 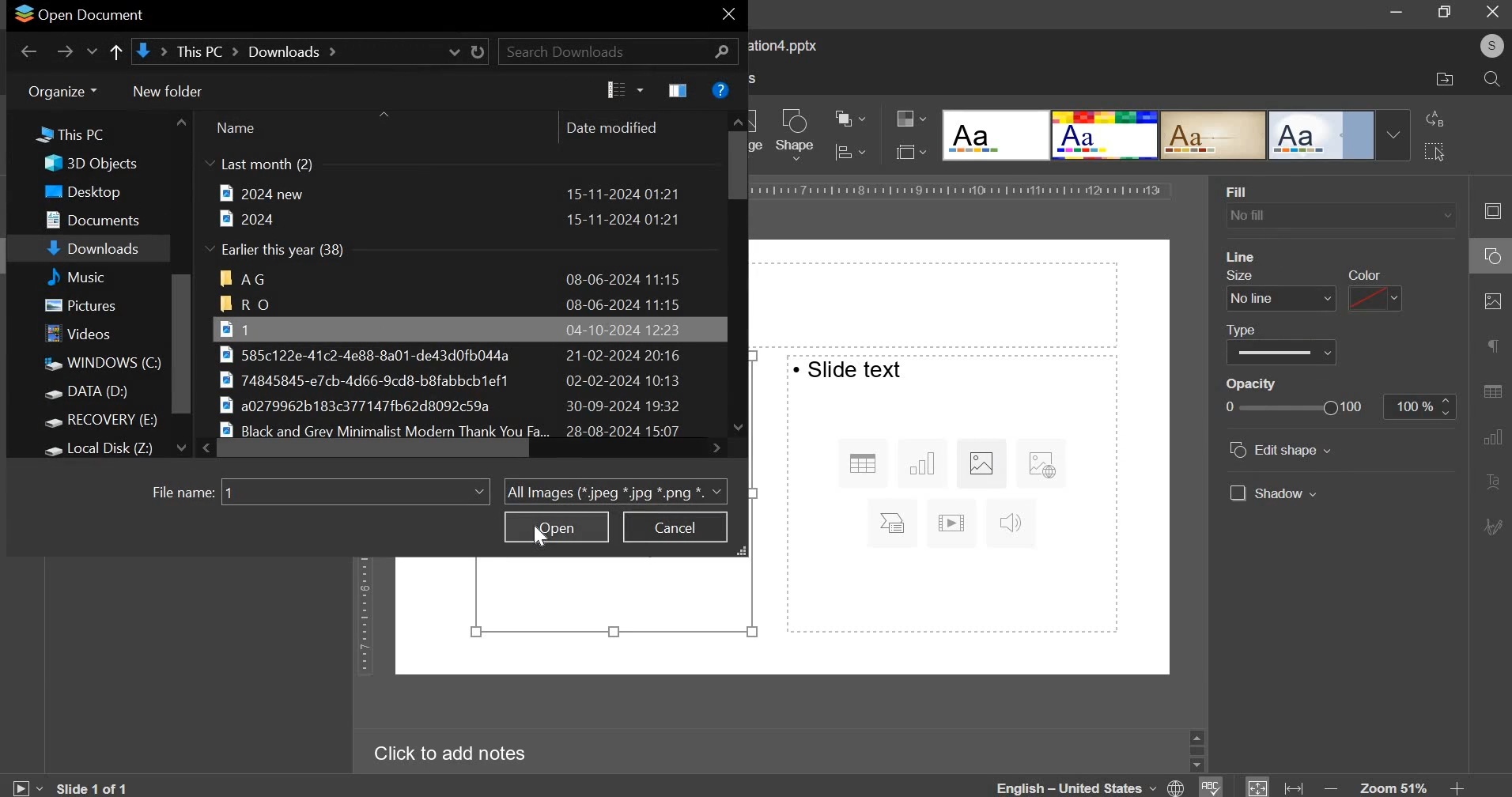 I want to click on slide setting, so click(x=1489, y=211).